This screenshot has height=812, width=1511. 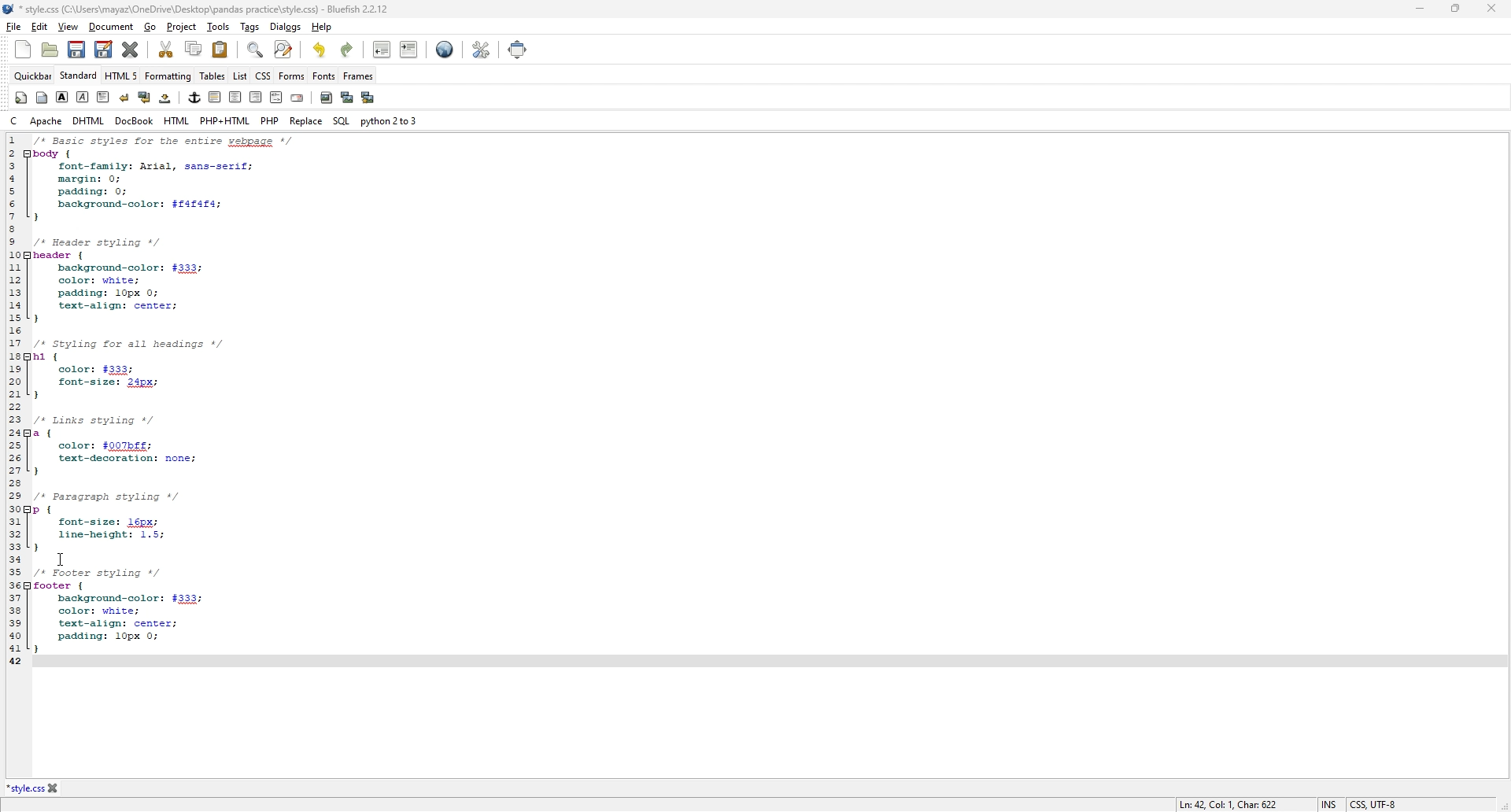 I want to click on tools, so click(x=218, y=26).